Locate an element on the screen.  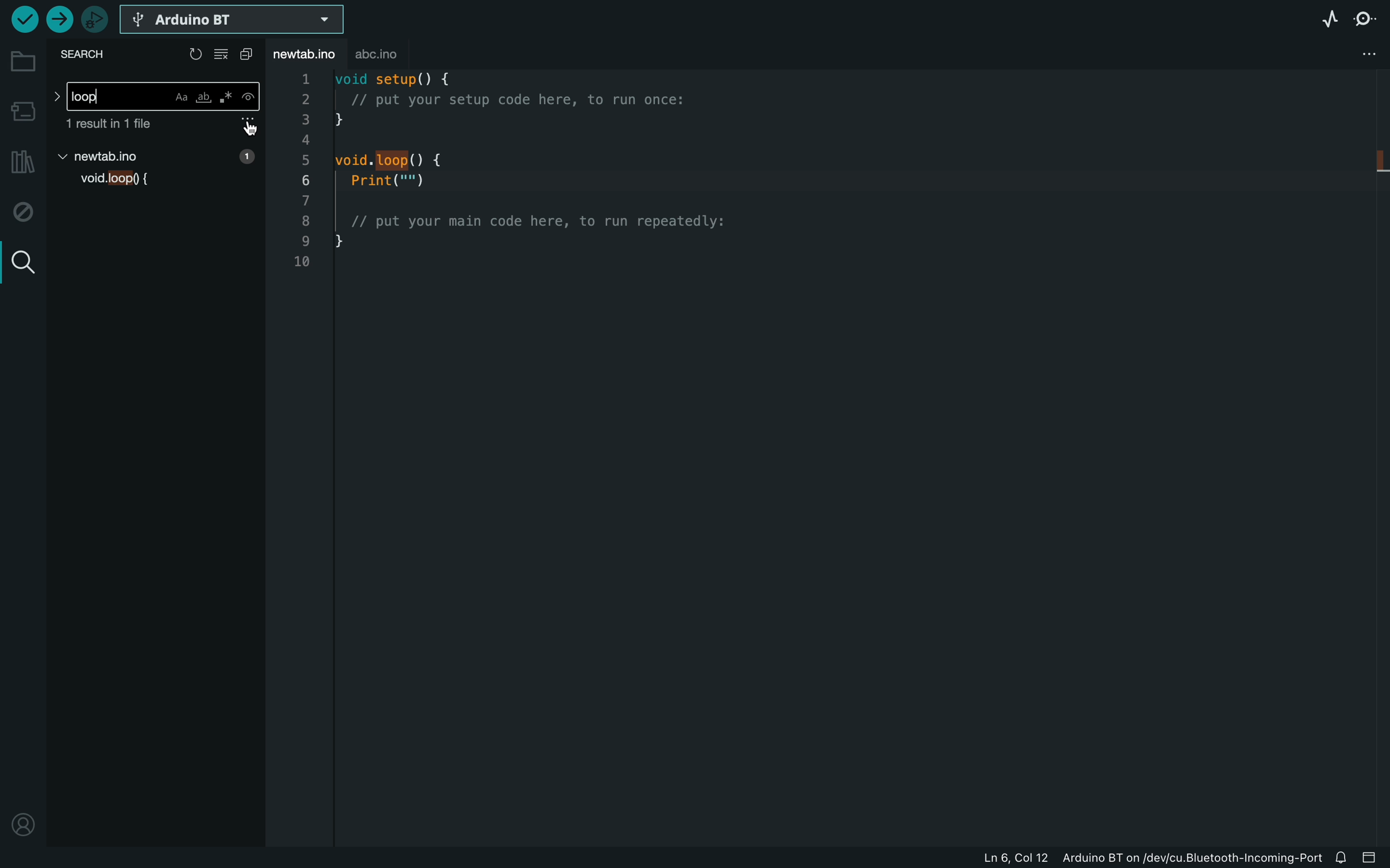
search is located at coordinates (89, 55).